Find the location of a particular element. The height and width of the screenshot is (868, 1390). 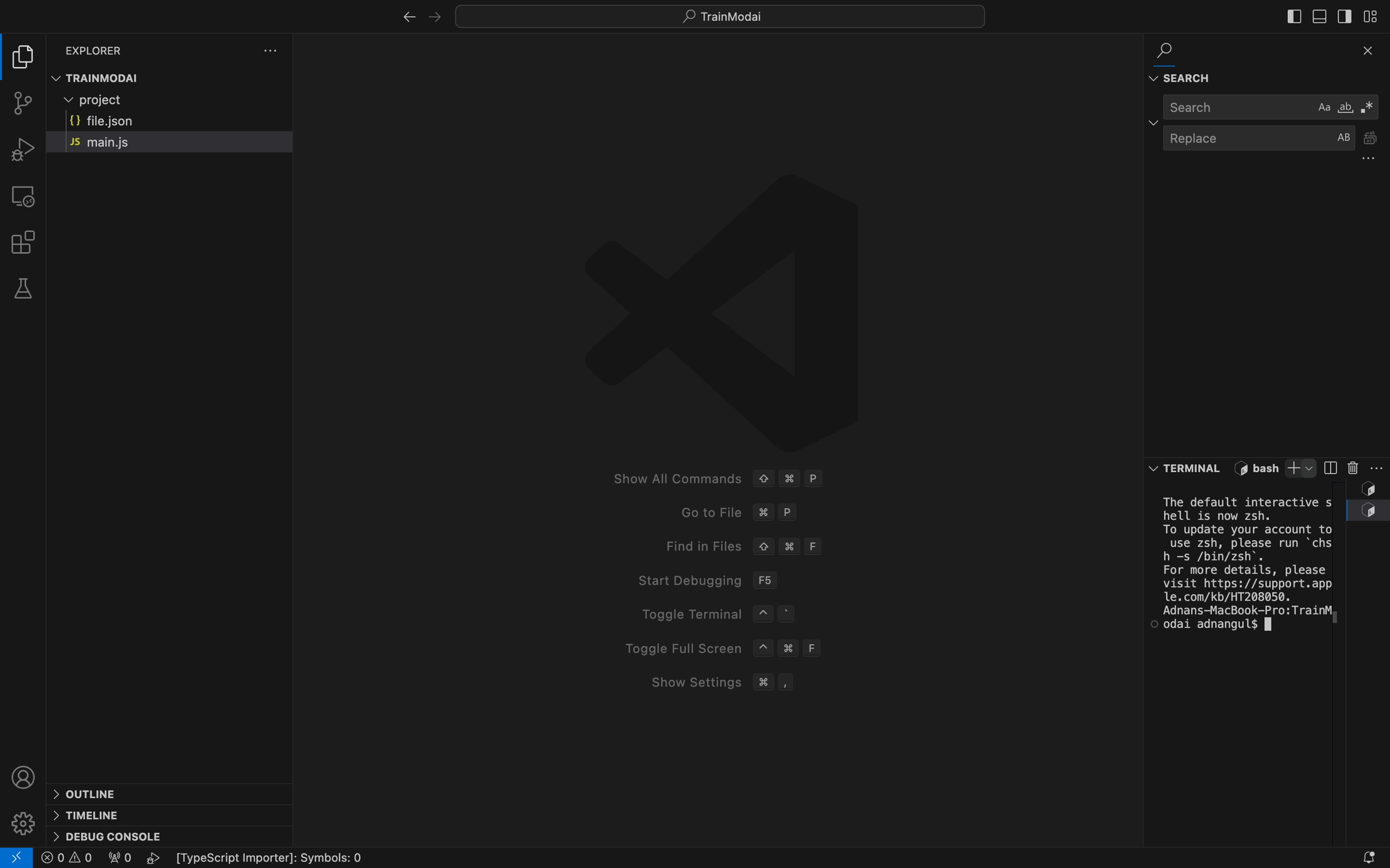

tests is located at coordinates (24, 289).